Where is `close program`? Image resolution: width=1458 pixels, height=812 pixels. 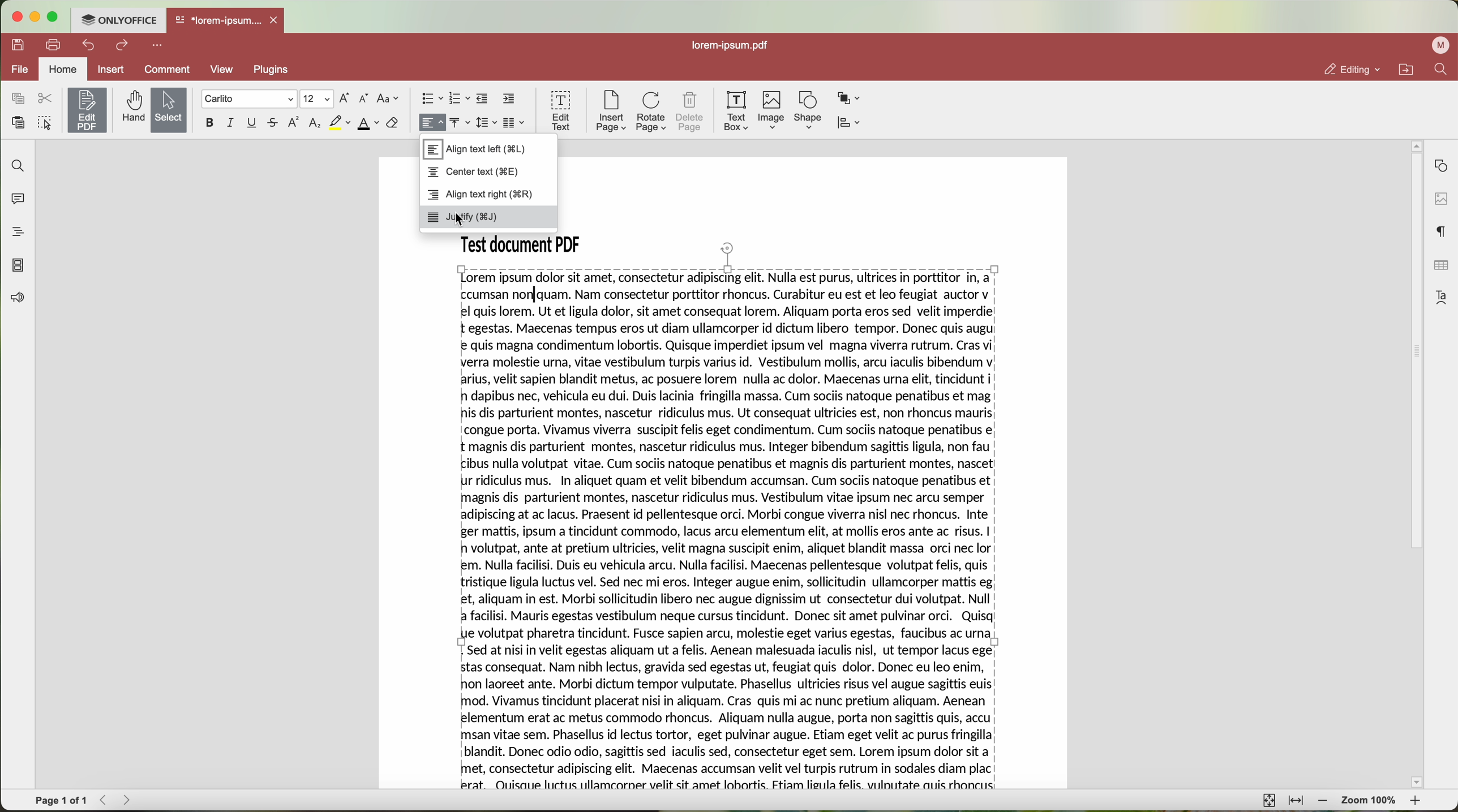
close program is located at coordinates (16, 15).